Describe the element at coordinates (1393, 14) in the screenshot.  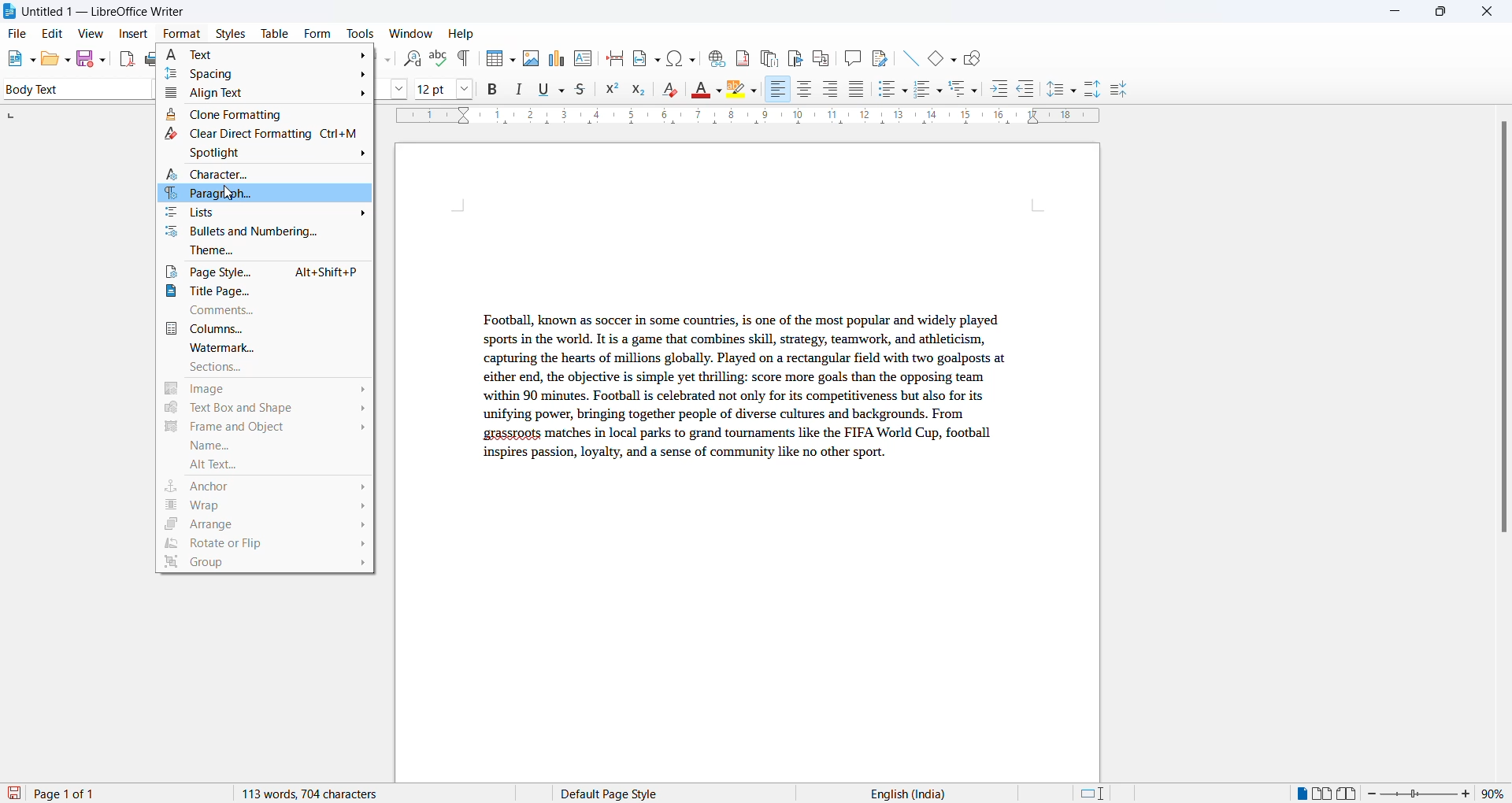
I see `minimize` at that location.